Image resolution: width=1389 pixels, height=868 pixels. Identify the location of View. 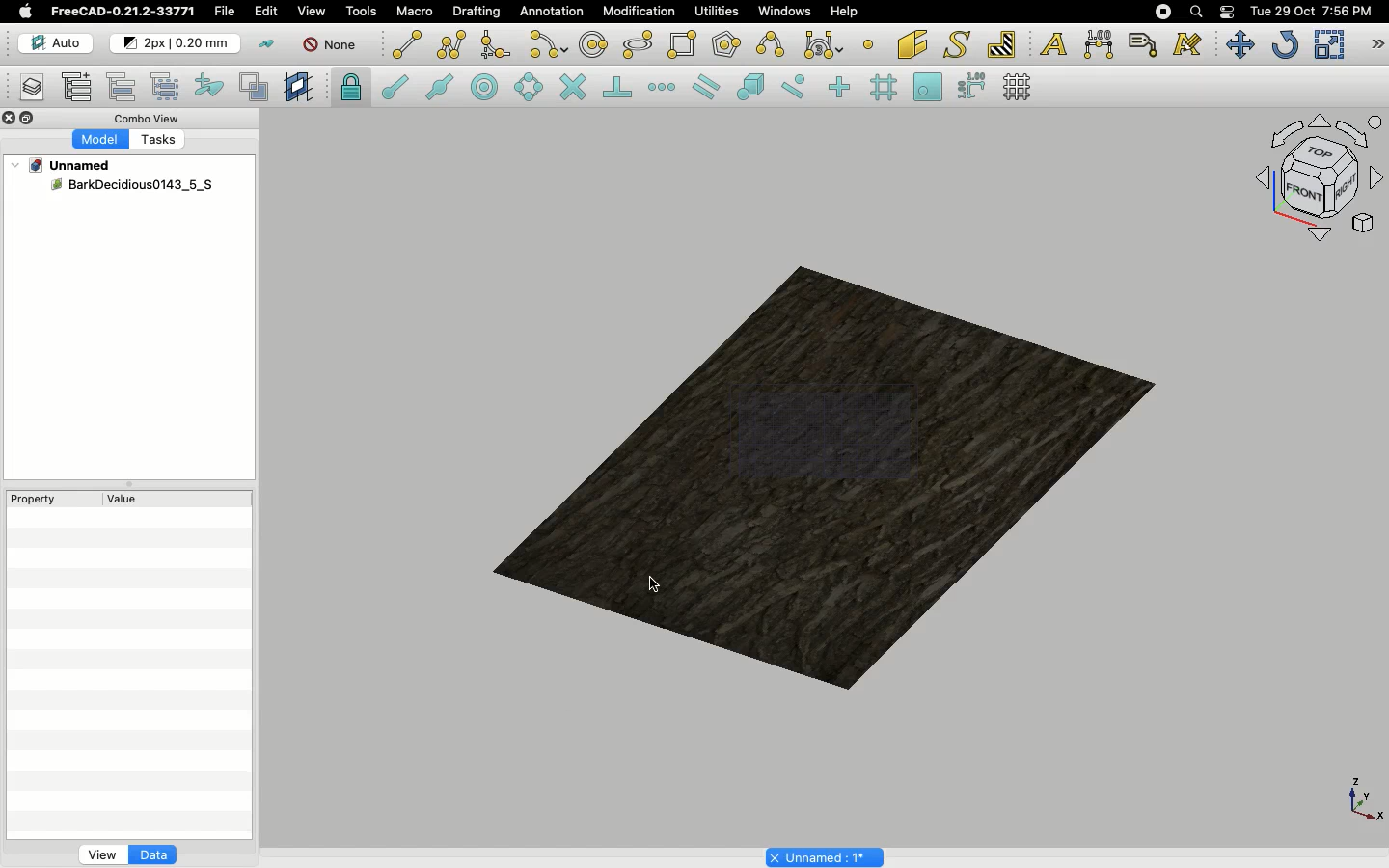
(102, 854).